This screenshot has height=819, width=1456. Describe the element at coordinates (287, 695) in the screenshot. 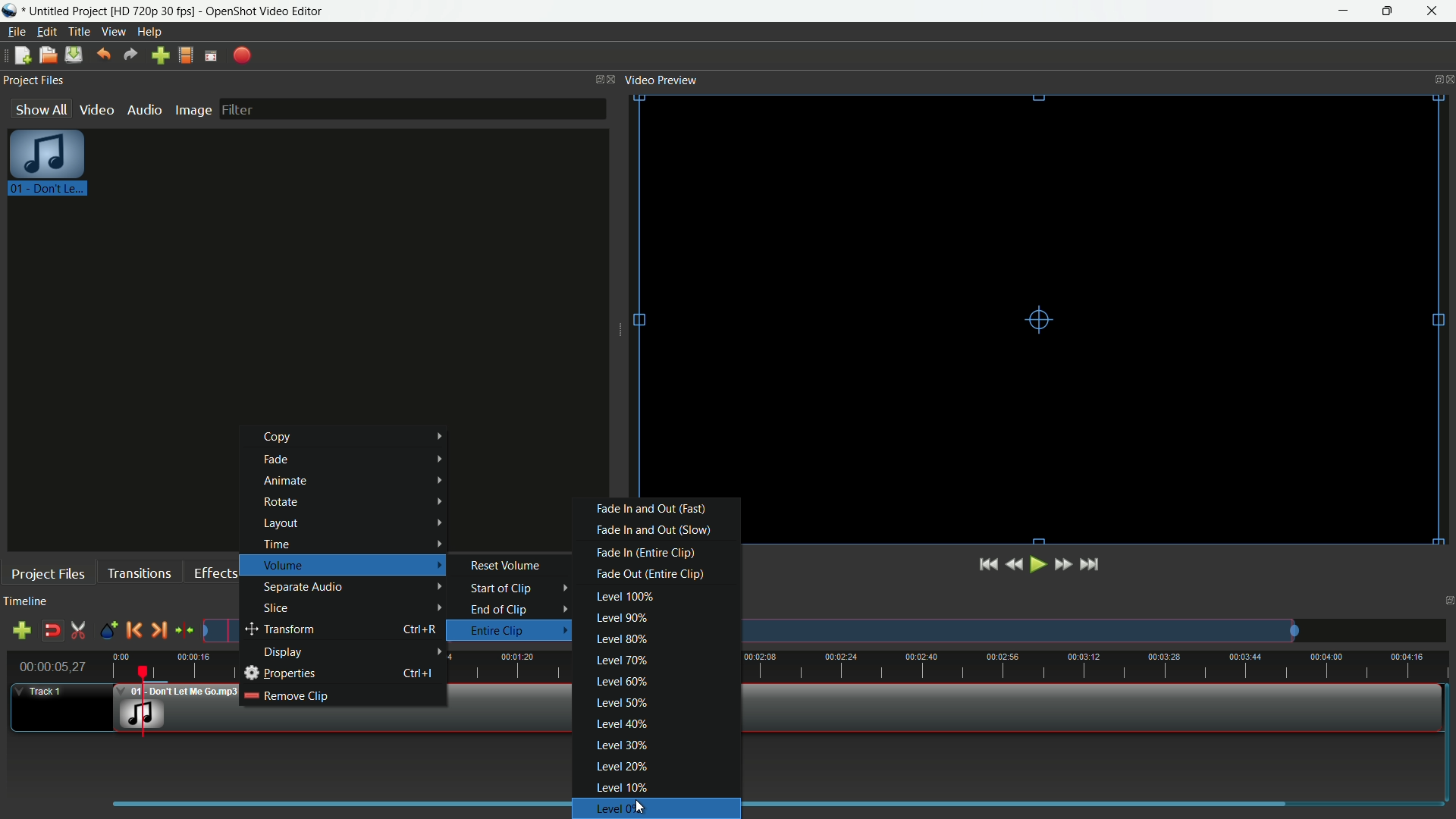

I see `remove clip` at that location.